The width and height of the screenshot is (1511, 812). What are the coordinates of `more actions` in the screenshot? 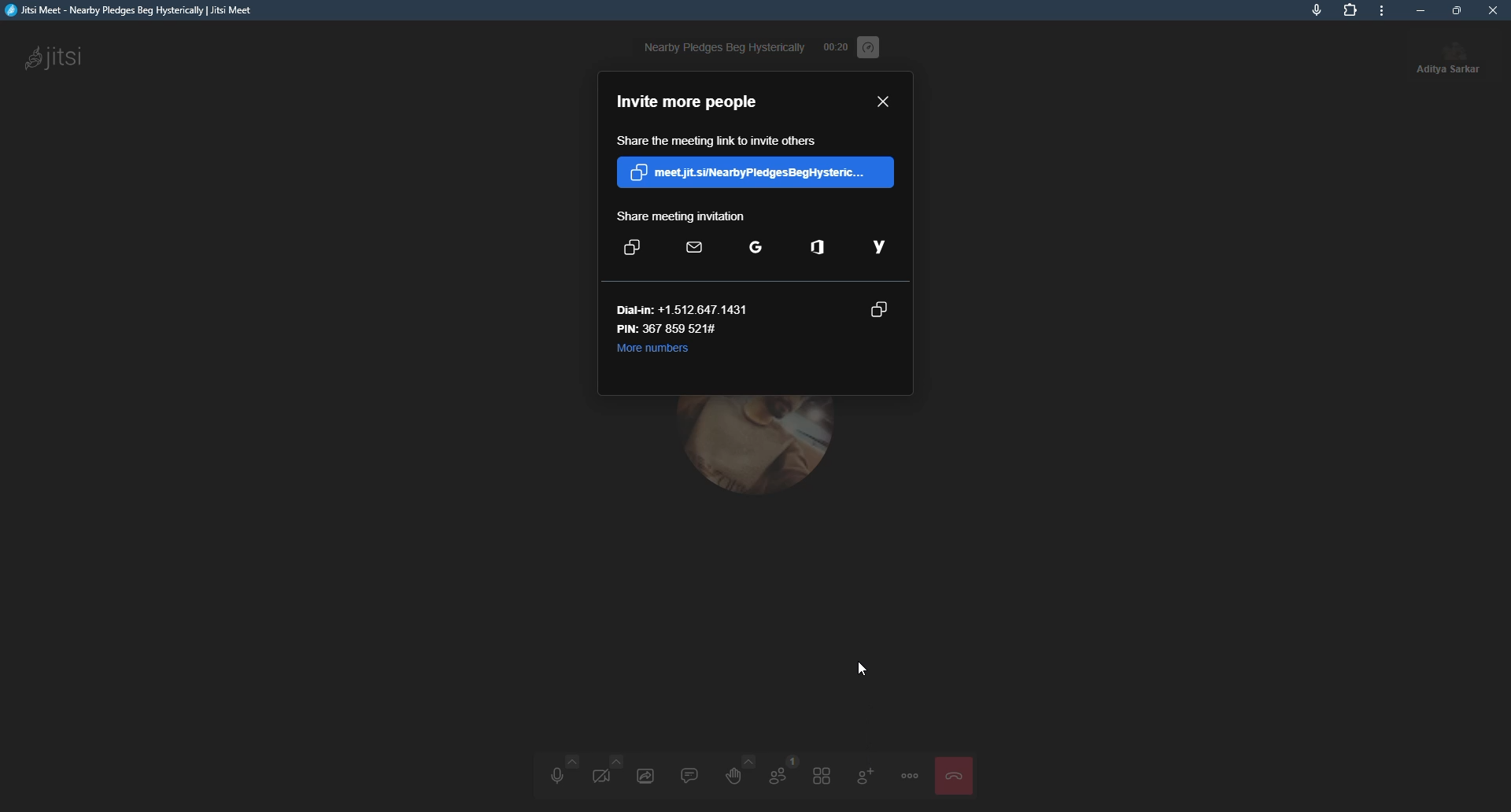 It's located at (911, 778).